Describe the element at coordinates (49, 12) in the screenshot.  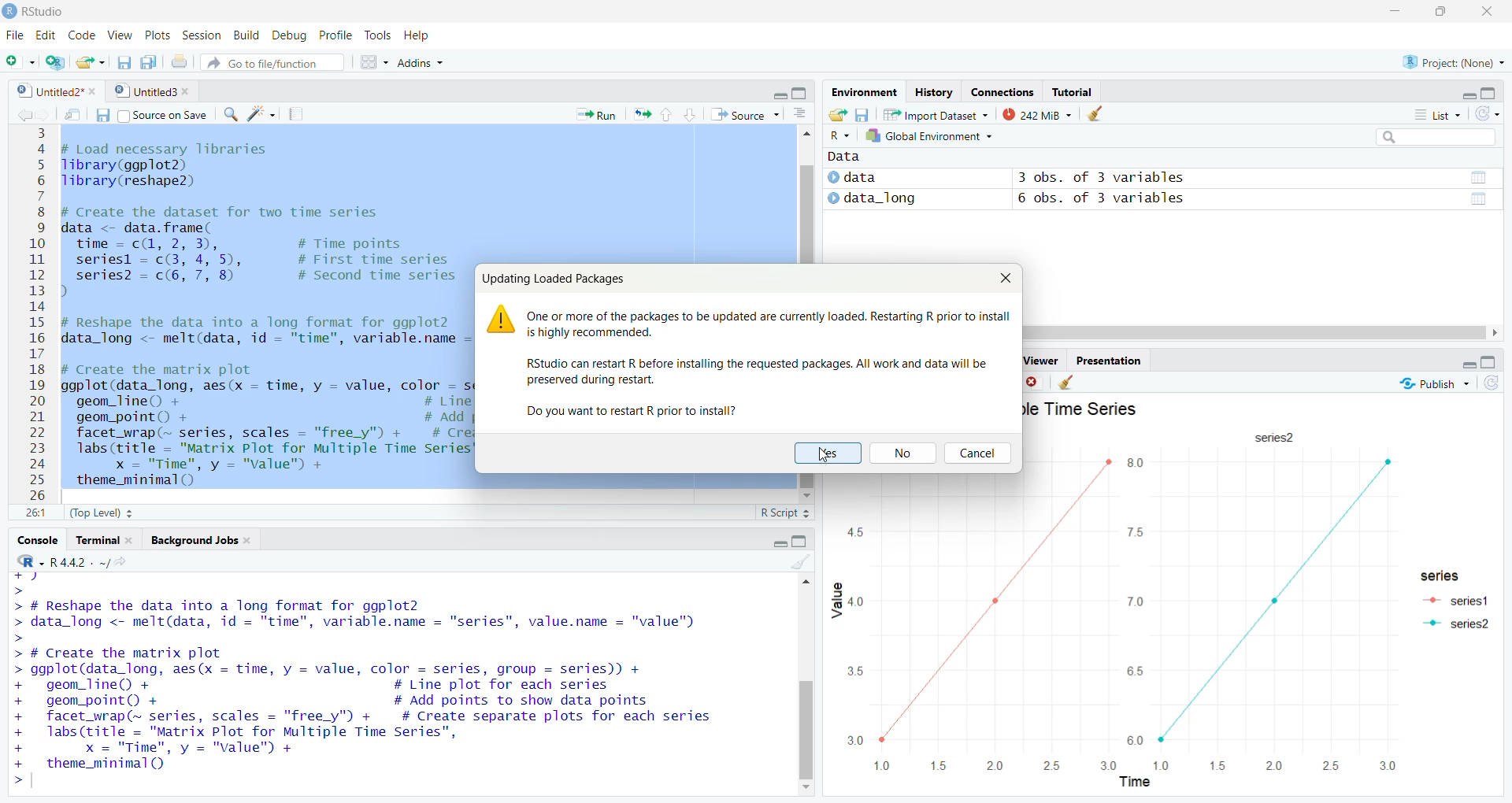
I see `RStudio` at that location.